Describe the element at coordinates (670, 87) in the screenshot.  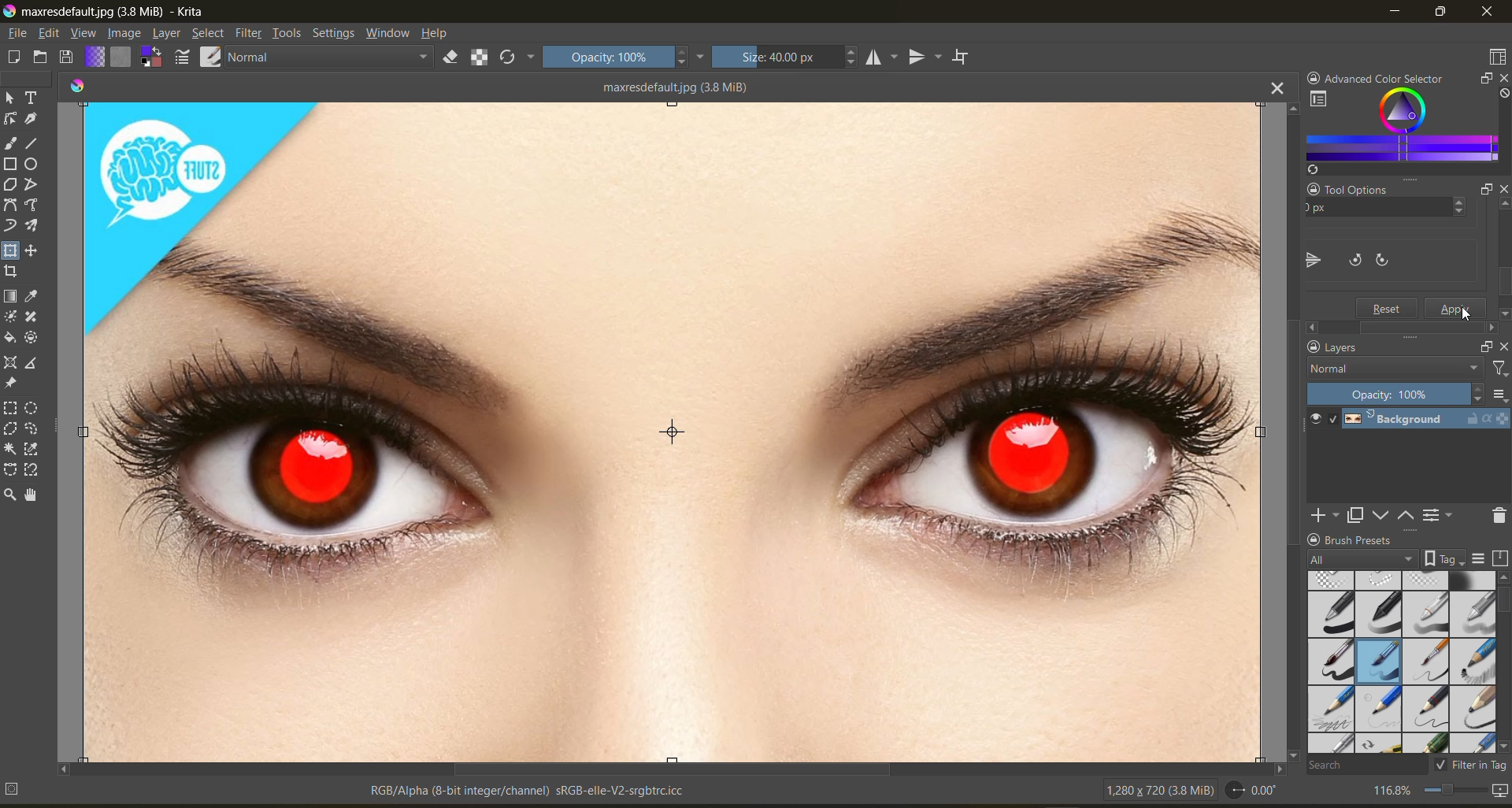
I see `maxresdefault.jpg (3.8 MiB)` at that location.